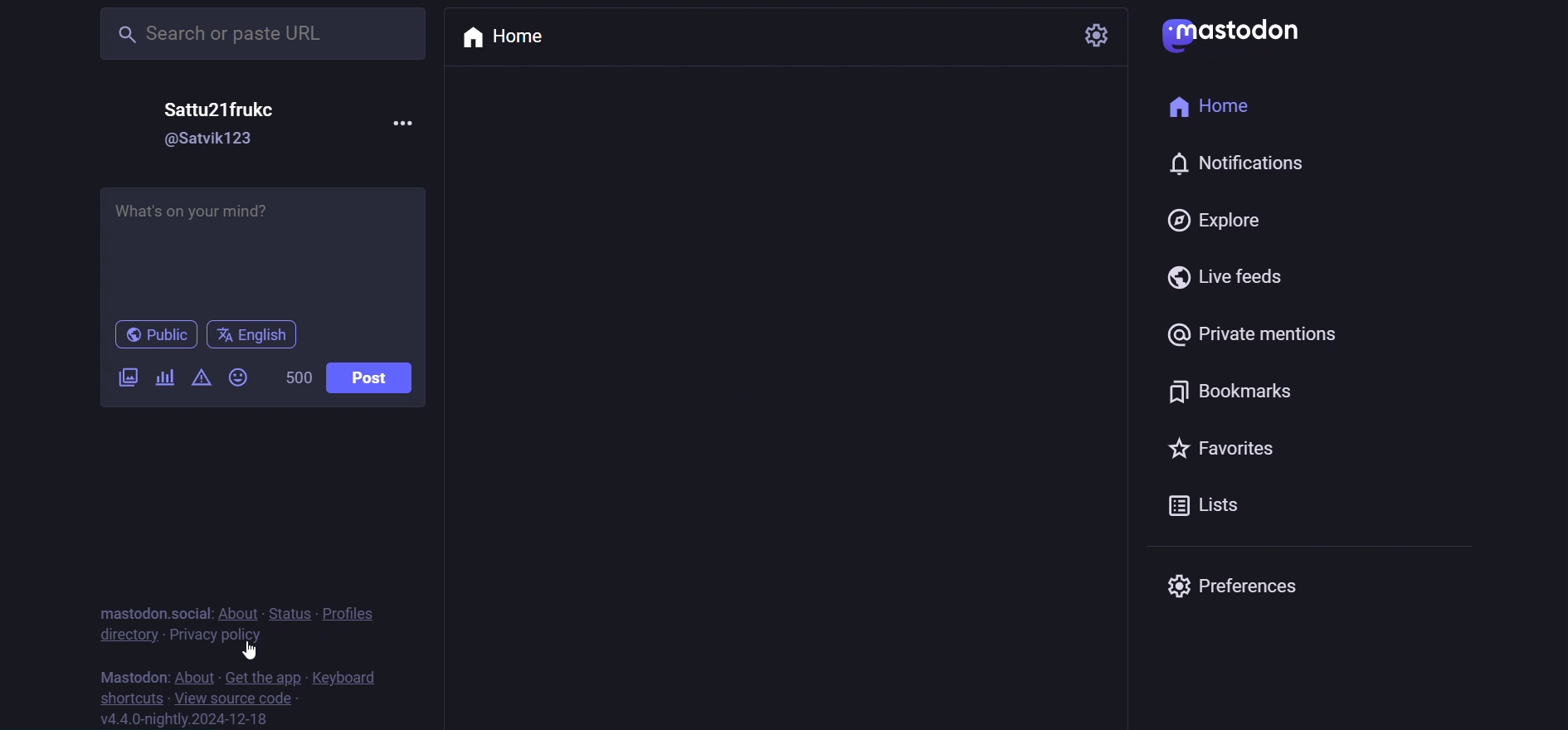 Image resolution: width=1568 pixels, height=730 pixels. Describe the element at coordinates (1244, 271) in the screenshot. I see `live feed` at that location.